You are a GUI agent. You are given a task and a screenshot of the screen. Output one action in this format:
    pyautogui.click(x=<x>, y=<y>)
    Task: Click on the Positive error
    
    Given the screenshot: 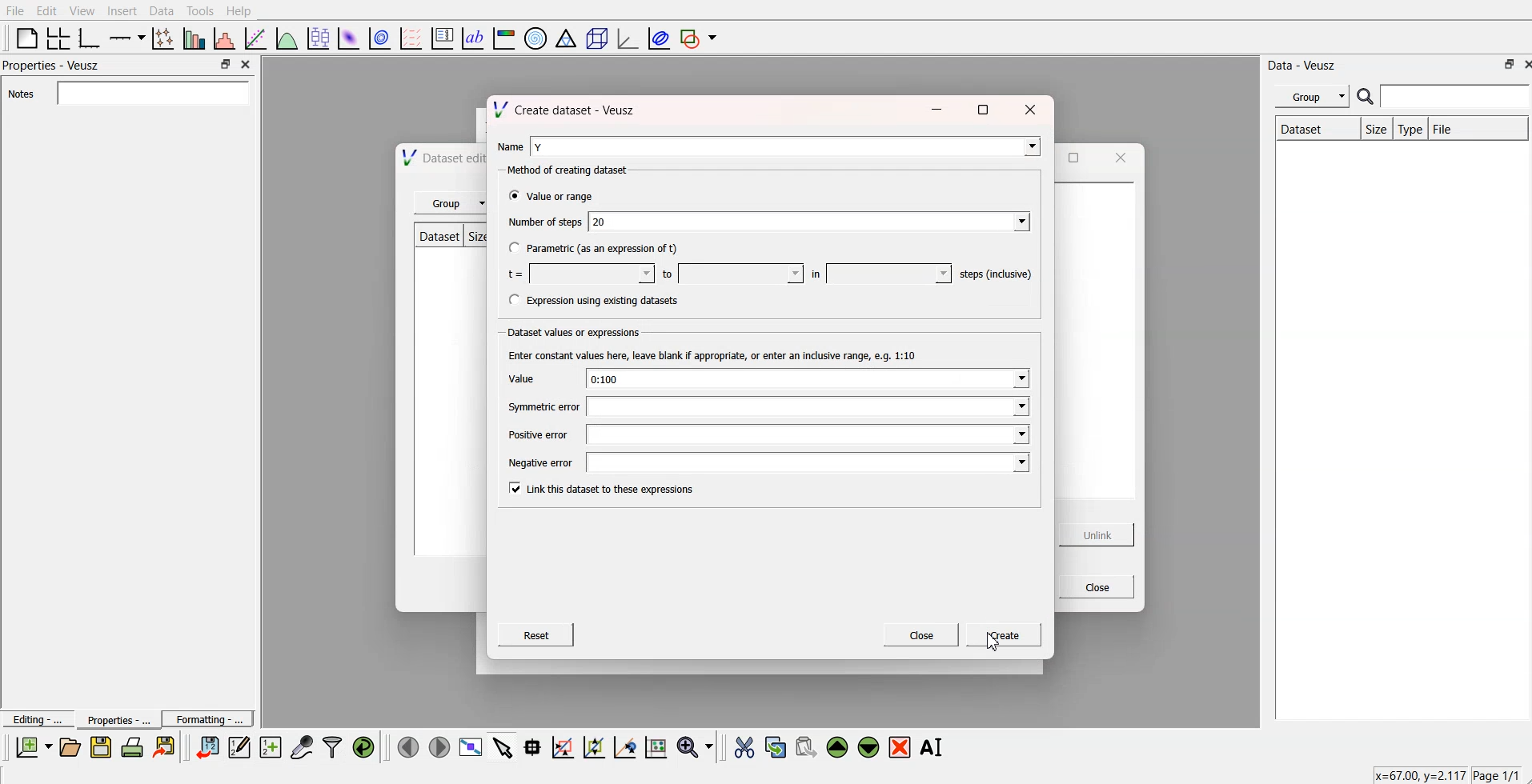 What is the action you would take?
    pyautogui.click(x=535, y=434)
    